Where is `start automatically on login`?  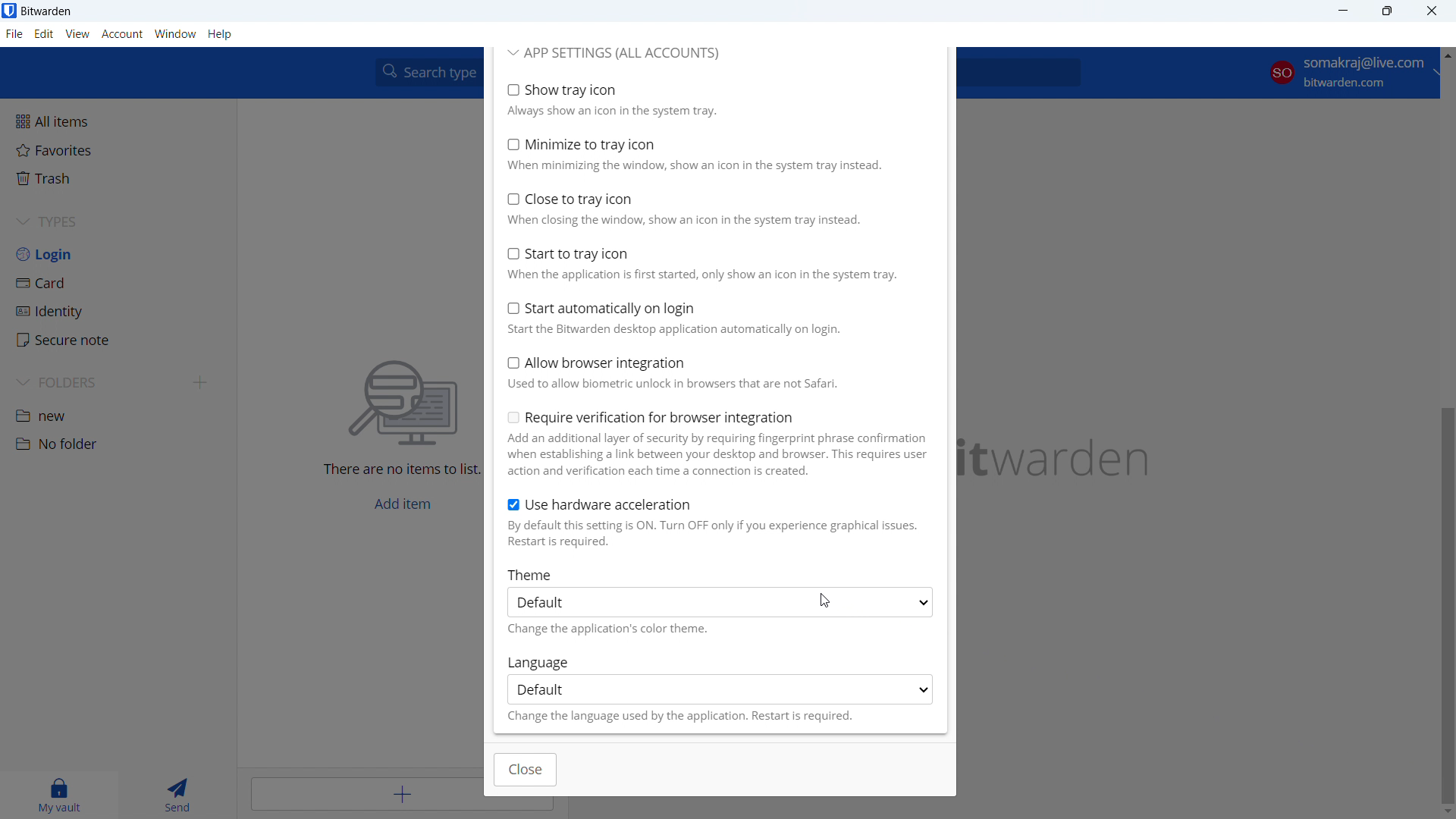
start automatically on login is located at coordinates (714, 318).